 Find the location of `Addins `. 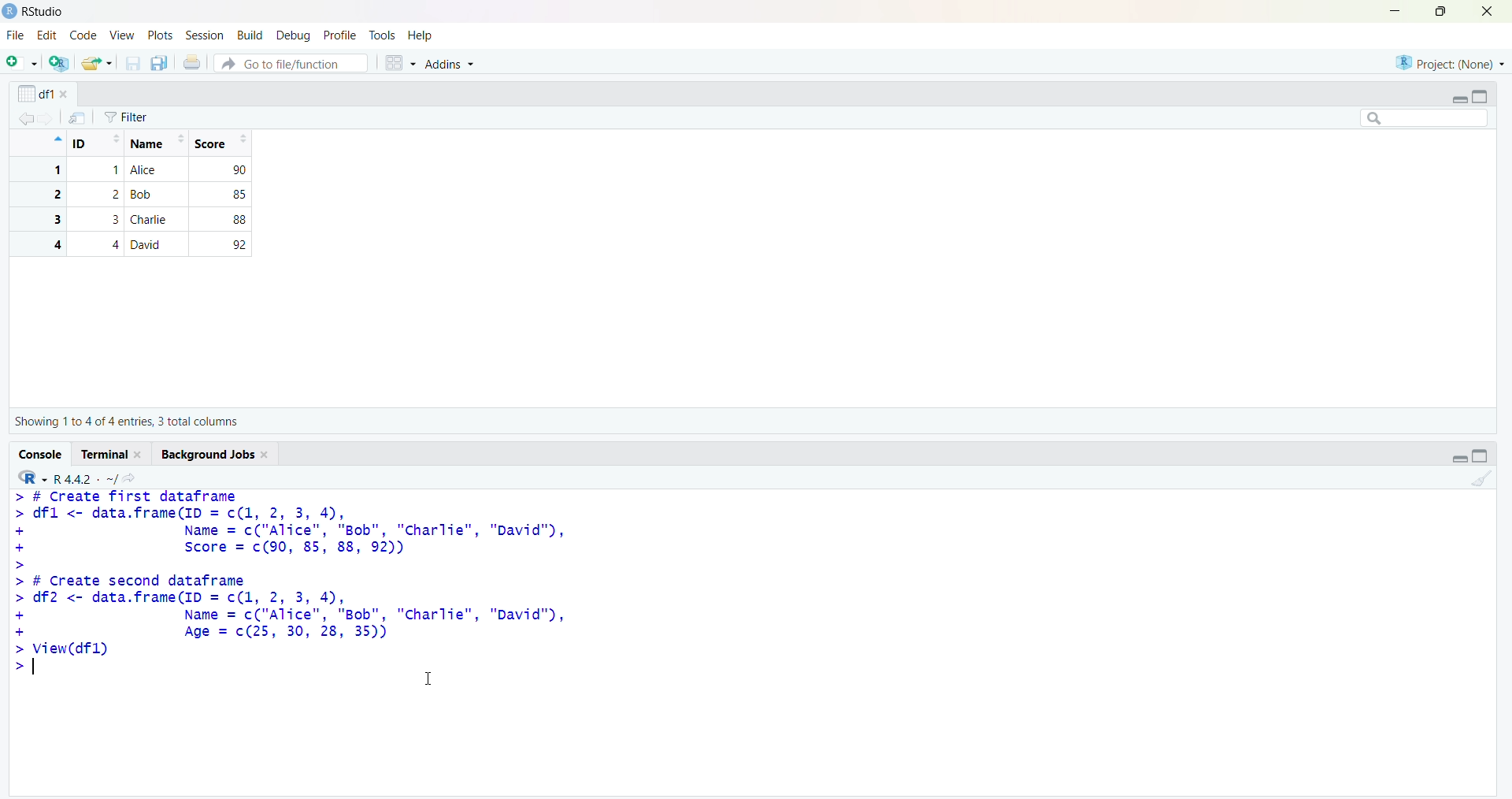

Addins  is located at coordinates (448, 63).